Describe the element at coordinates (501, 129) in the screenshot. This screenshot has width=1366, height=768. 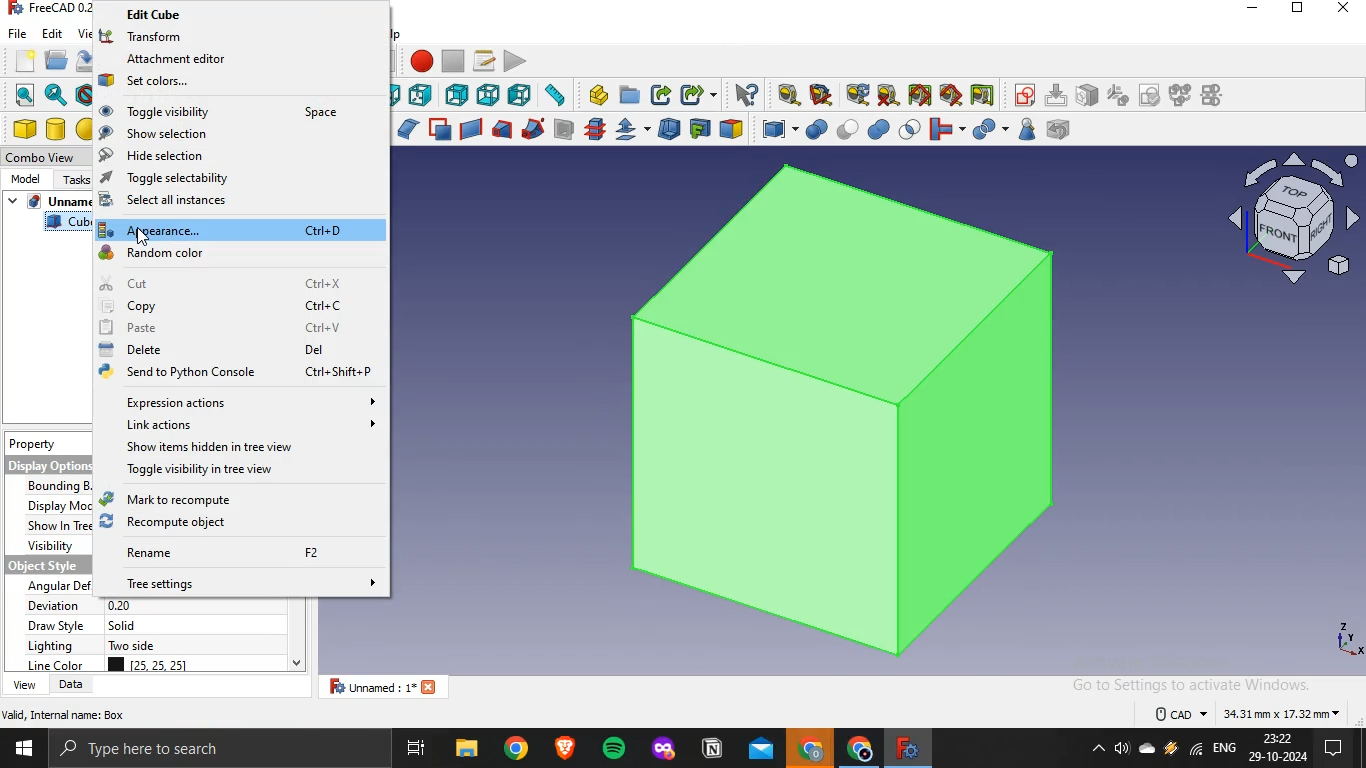
I see `loft` at that location.